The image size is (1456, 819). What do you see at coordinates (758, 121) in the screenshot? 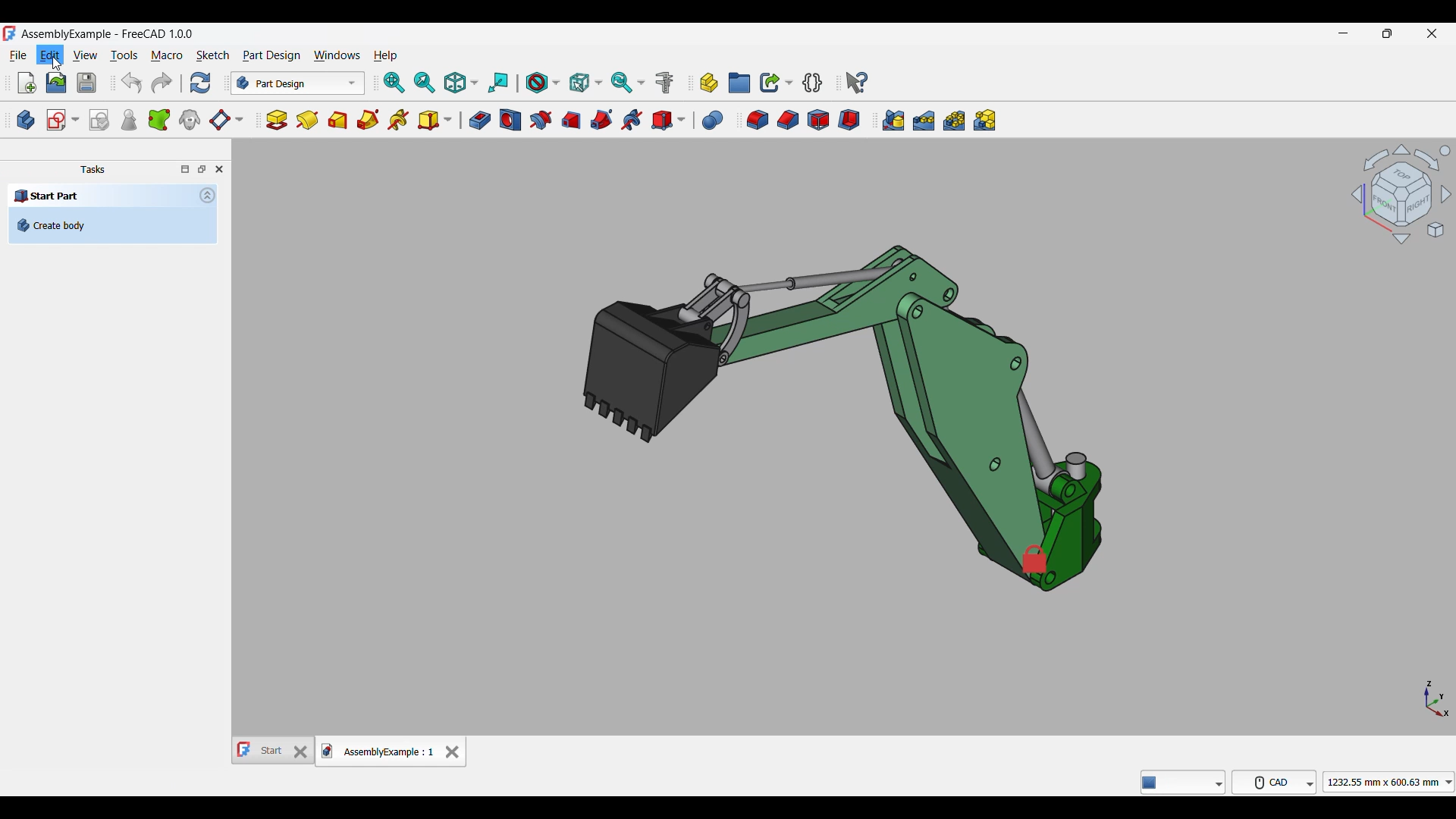
I see `Fillet` at bounding box center [758, 121].